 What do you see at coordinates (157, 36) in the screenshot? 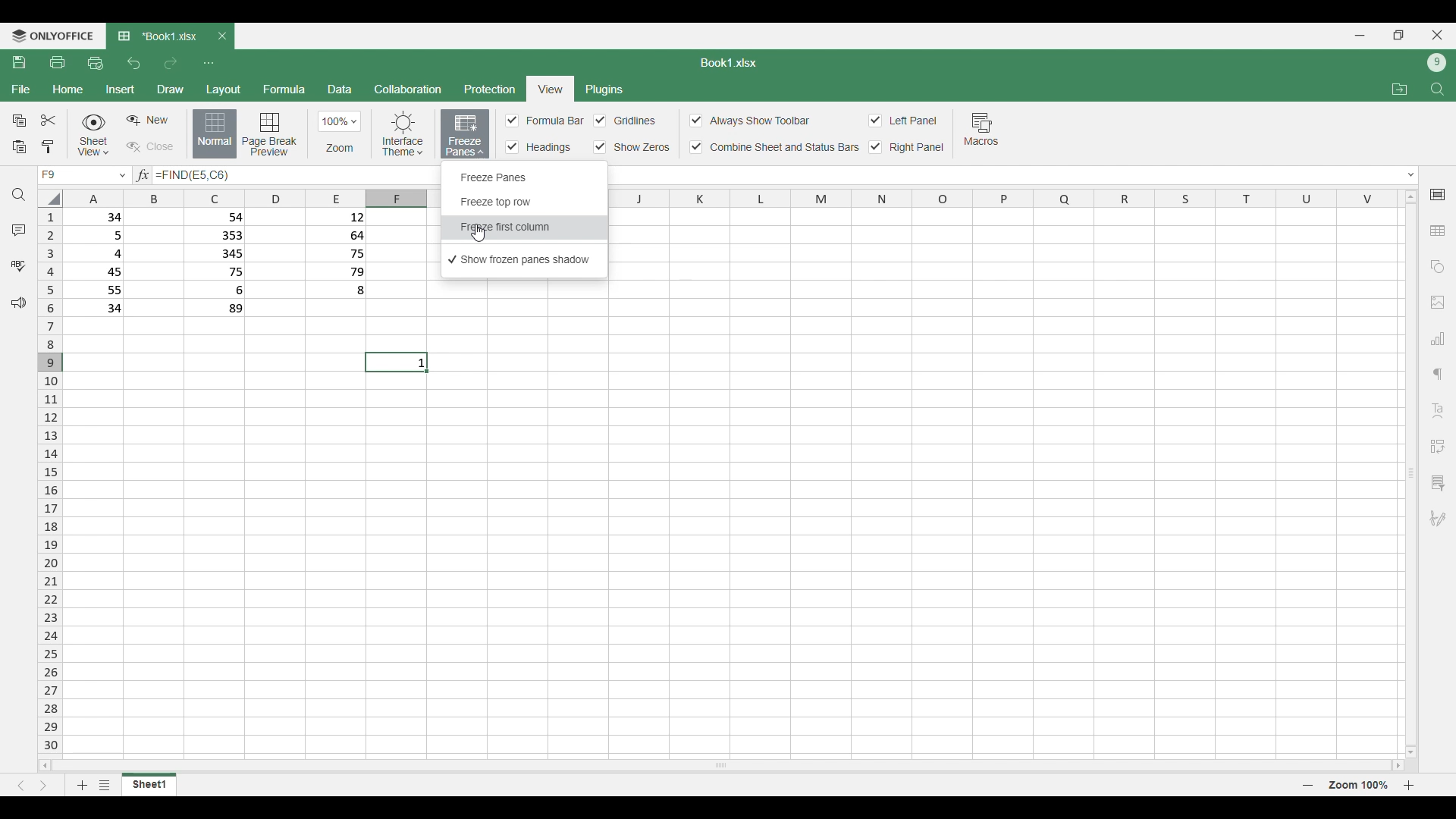
I see `Current tab: Book1.xlsx` at bounding box center [157, 36].